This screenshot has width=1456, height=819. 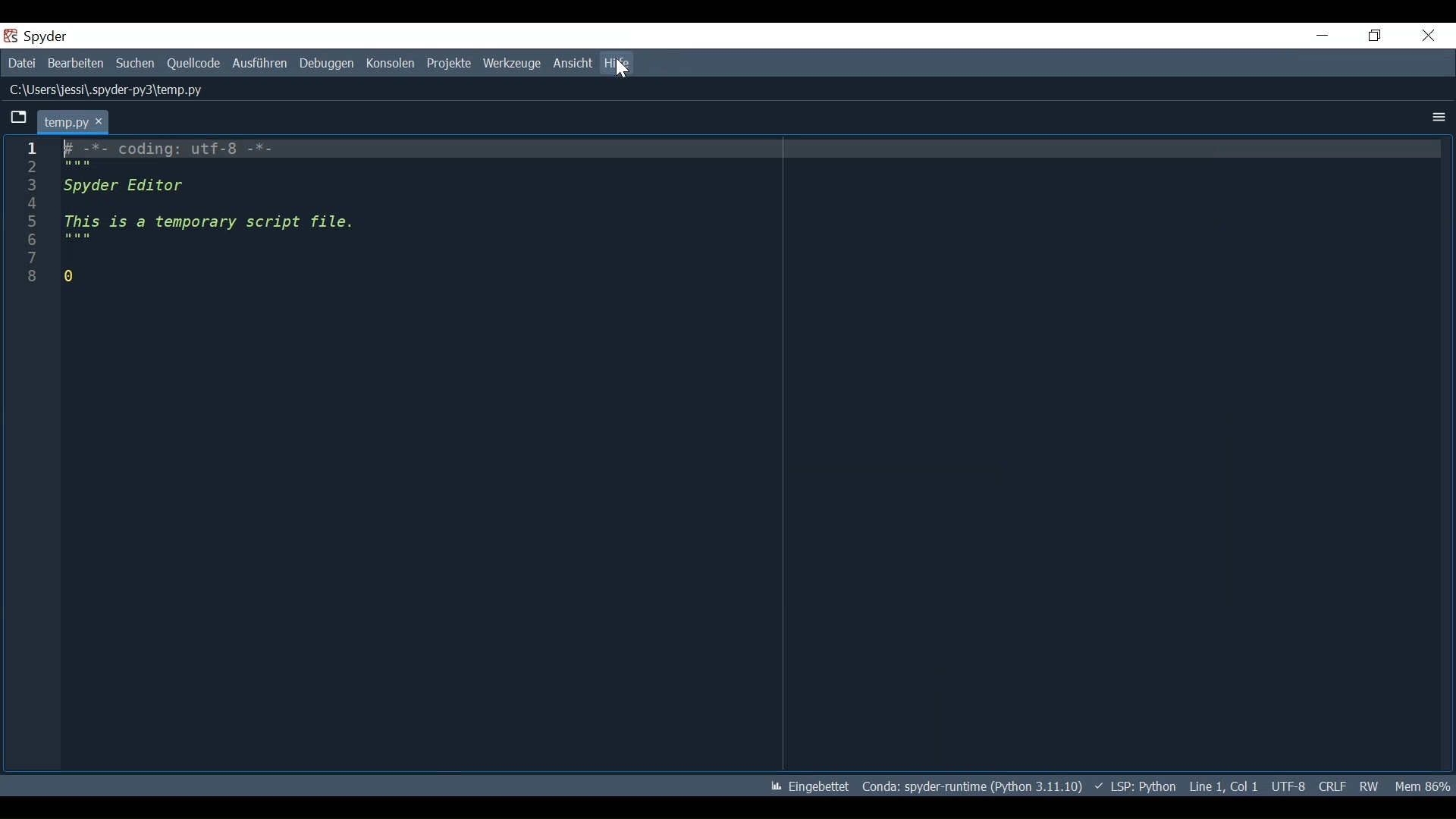 What do you see at coordinates (617, 63) in the screenshot?
I see `Help` at bounding box center [617, 63].